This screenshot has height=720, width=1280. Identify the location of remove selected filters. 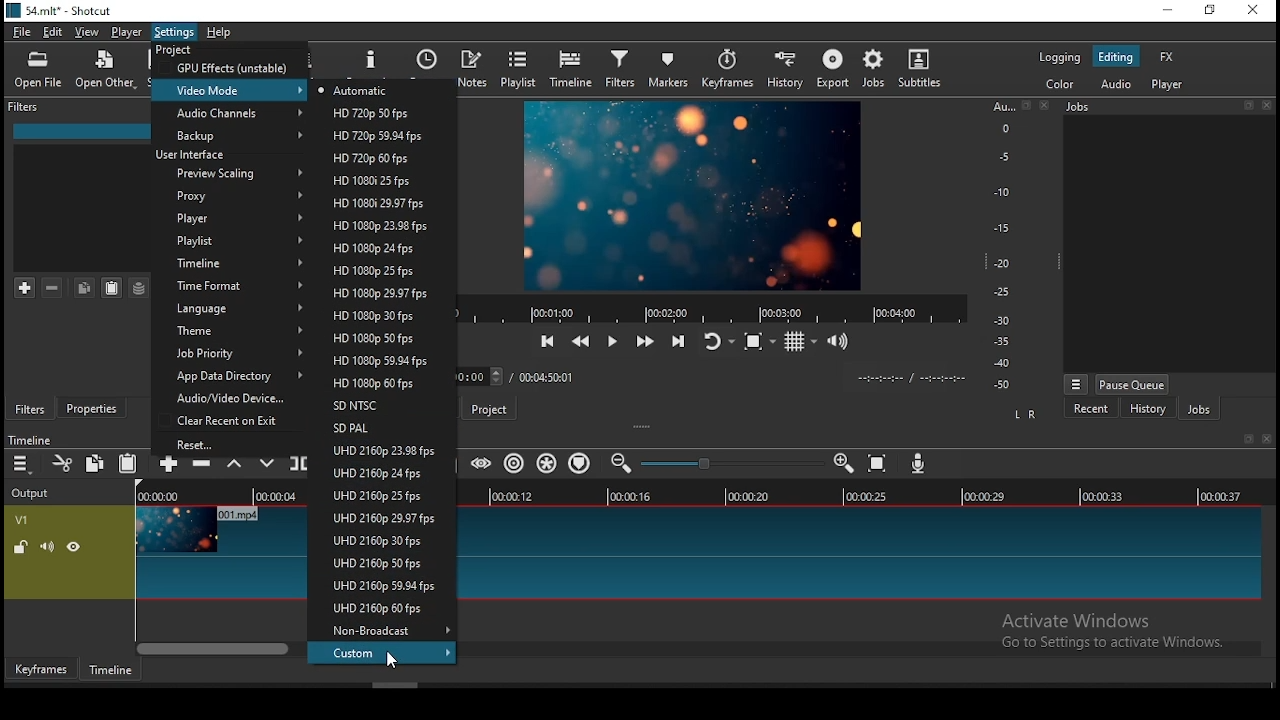
(53, 288).